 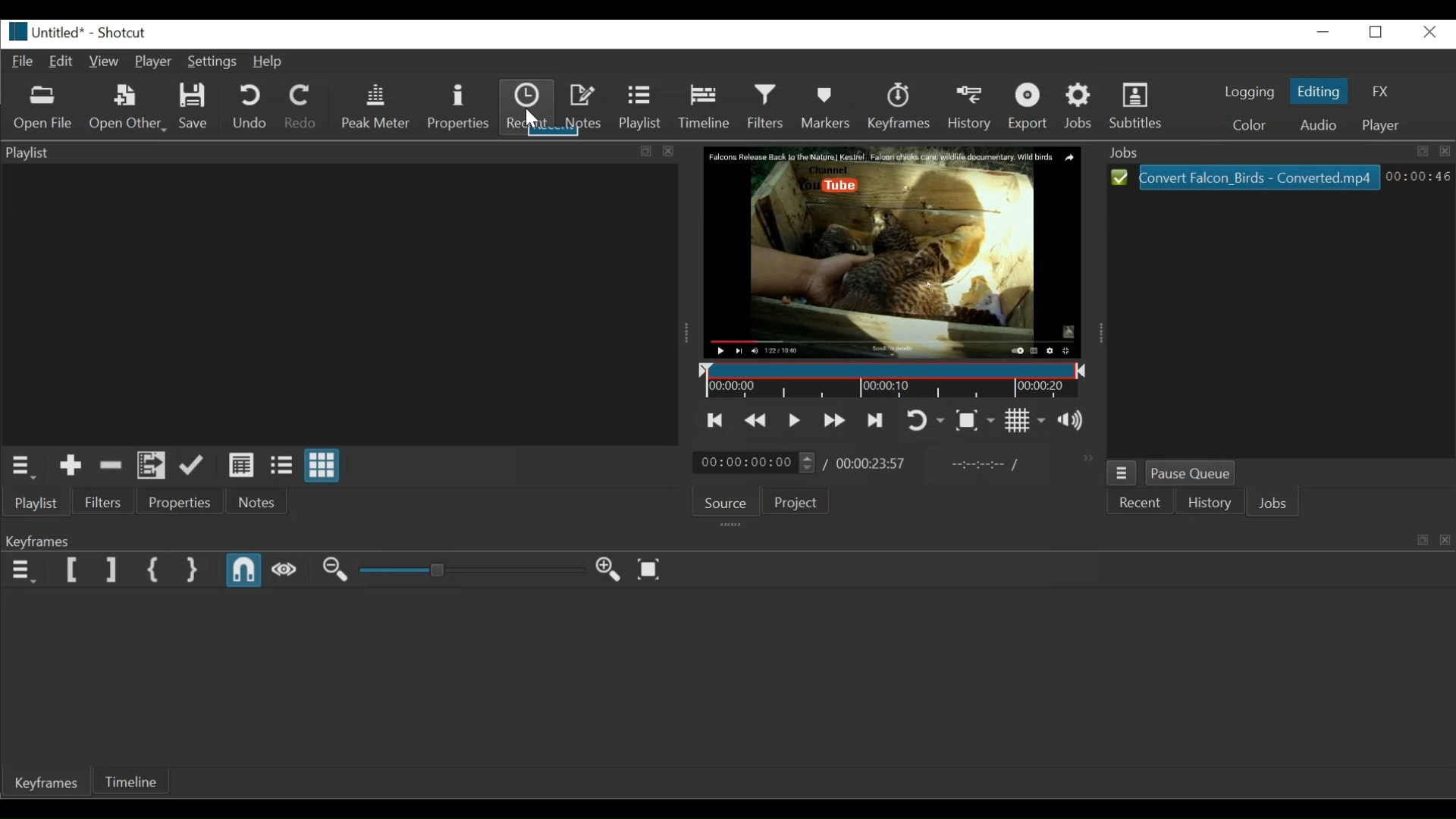 What do you see at coordinates (1250, 93) in the screenshot?
I see `logging` at bounding box center [1250, 93].